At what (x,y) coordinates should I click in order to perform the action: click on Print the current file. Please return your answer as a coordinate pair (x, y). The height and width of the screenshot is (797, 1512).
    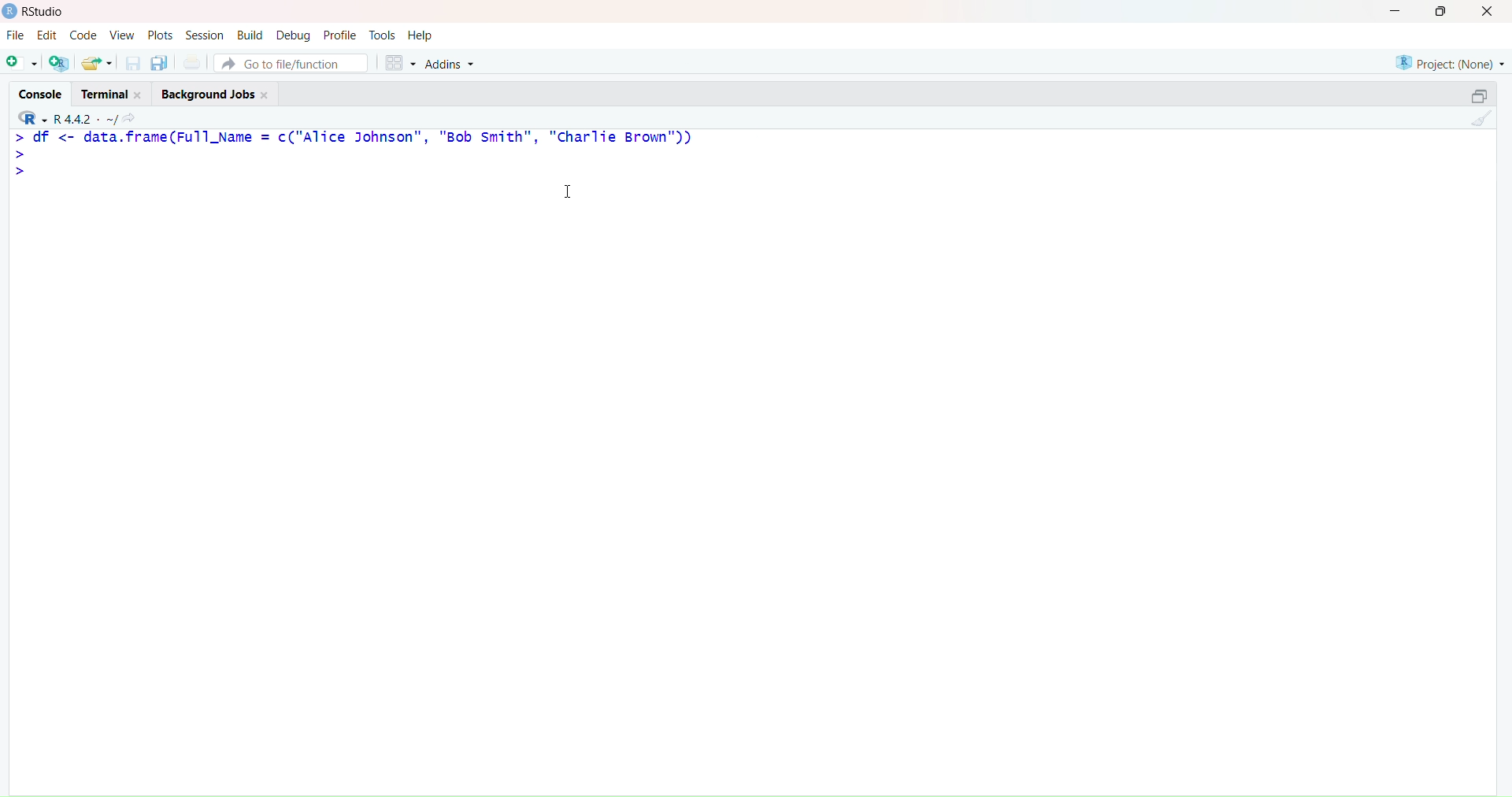
    Looking at the image, I should click on (191, 63).